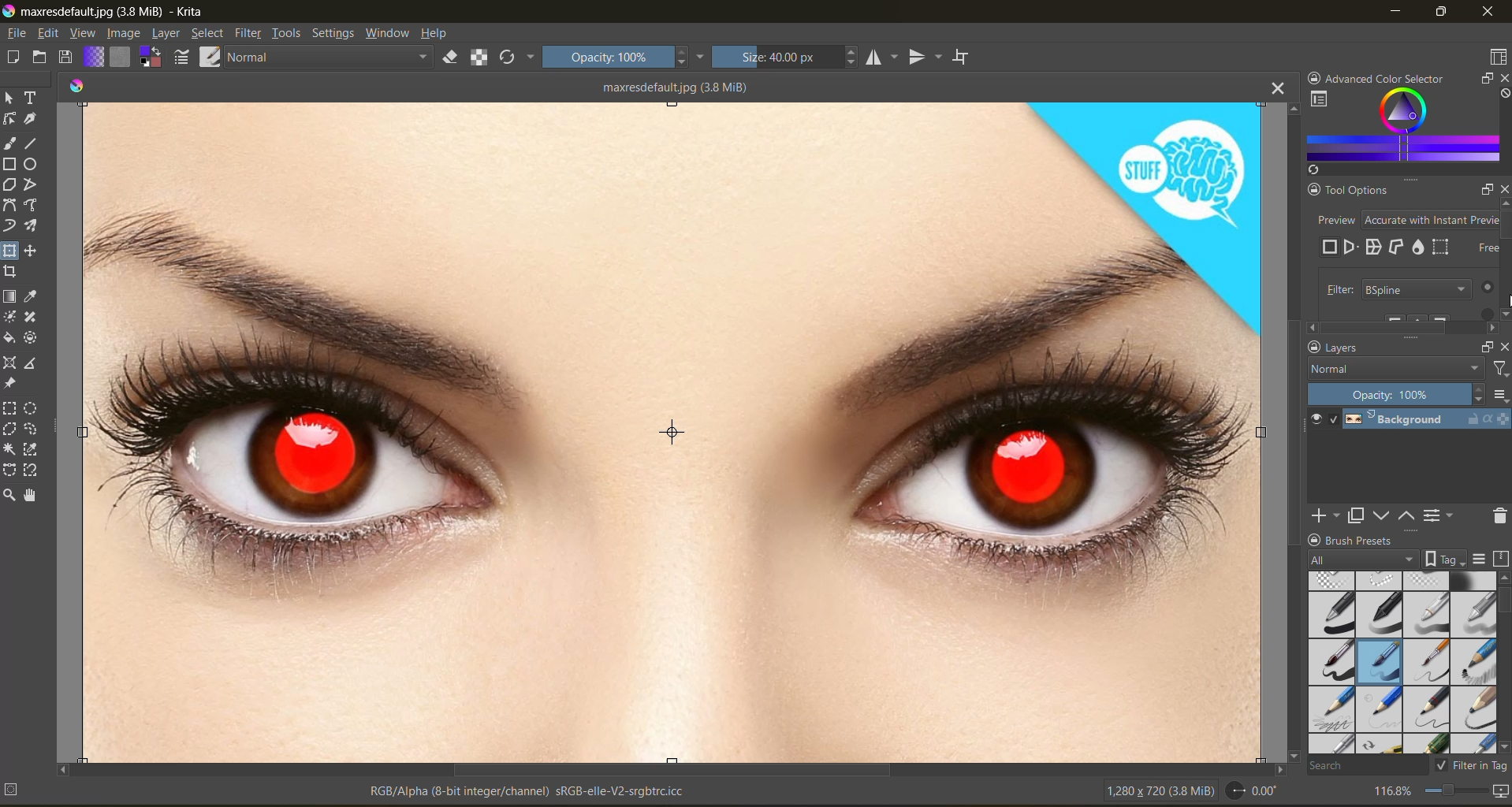 This screenshot has width=1512, height=807. Describe the element at coordinates (1315, 347) in the screenshot. I see `lock docker` at that location.